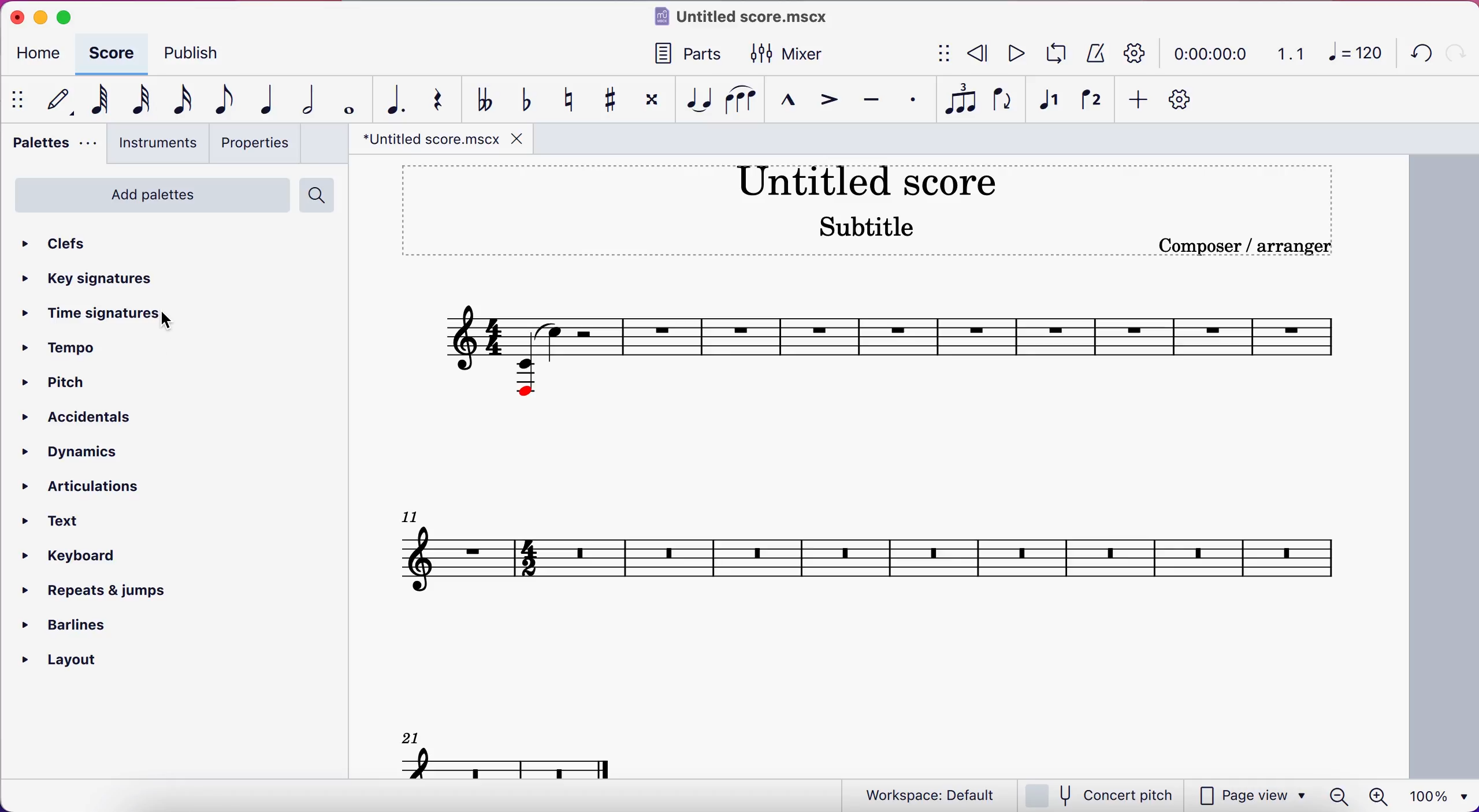 Image resolution: width=1479 pixels, height=812 pixels. I want to click on add, so click(1139, 100).